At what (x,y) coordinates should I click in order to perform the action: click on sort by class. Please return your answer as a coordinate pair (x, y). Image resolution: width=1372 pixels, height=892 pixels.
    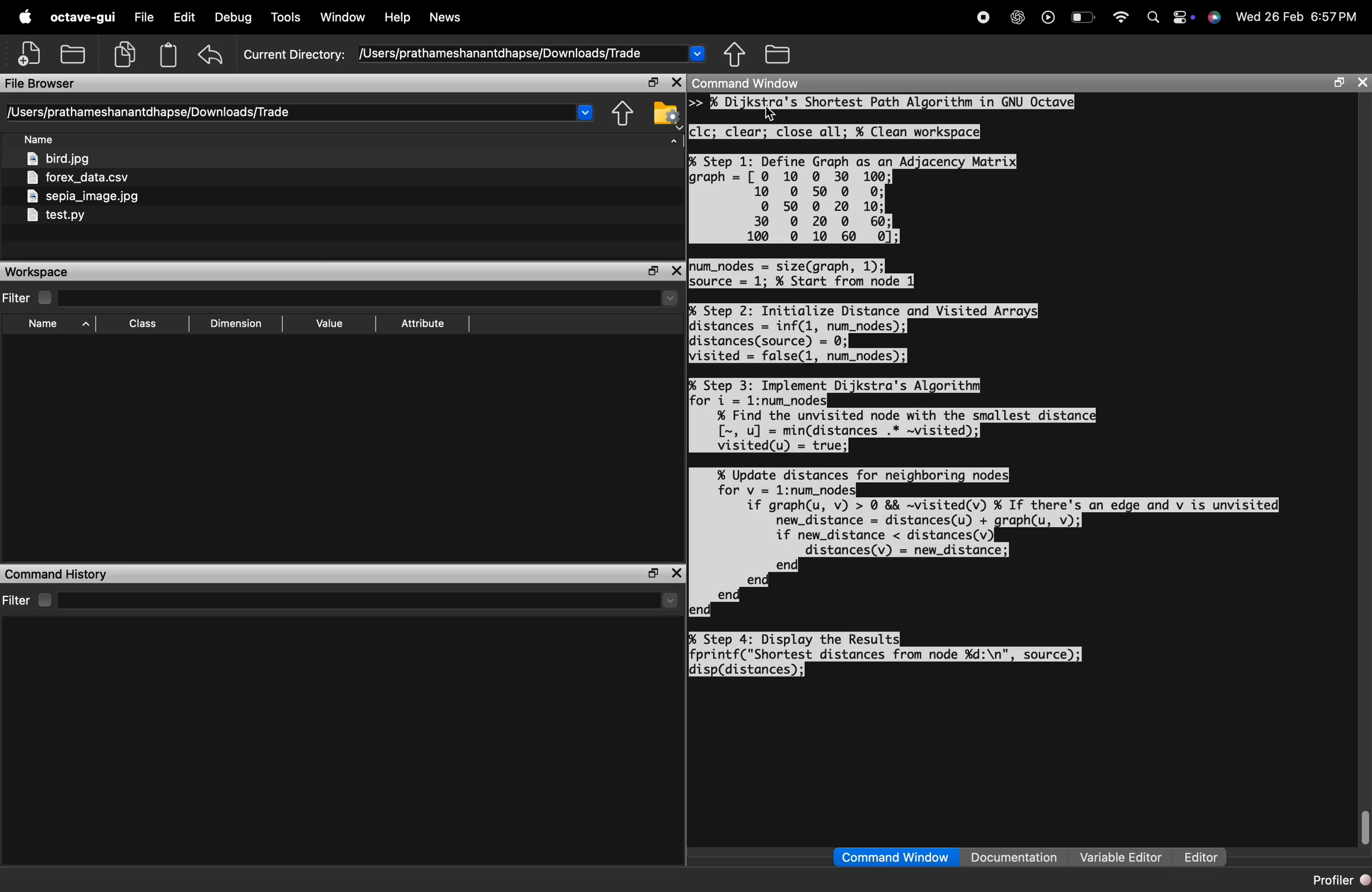
    Looking at the image, I should click on (145, 324).